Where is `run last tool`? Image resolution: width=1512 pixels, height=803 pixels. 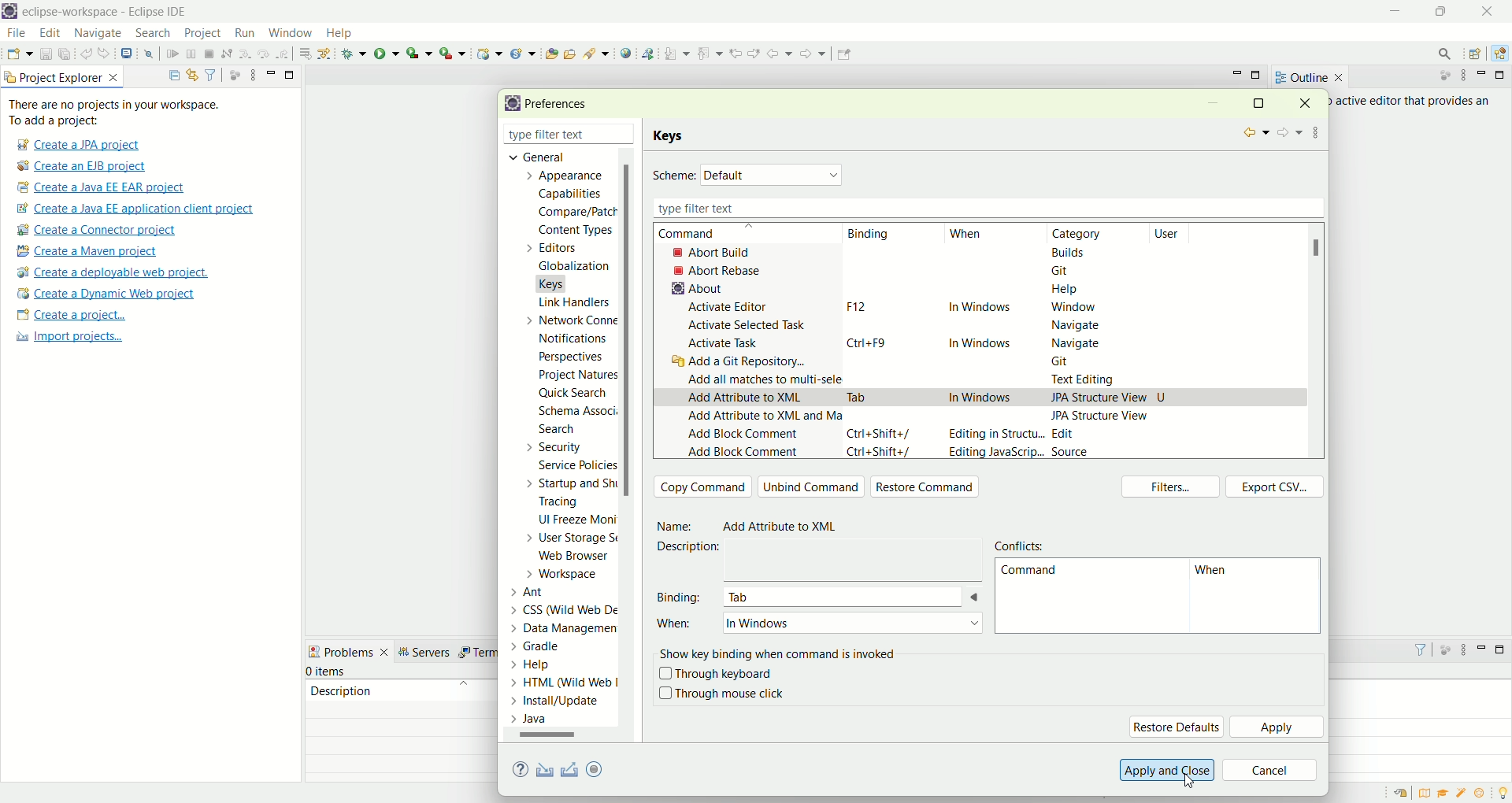
run last tool is located at coordinates (454, 53).